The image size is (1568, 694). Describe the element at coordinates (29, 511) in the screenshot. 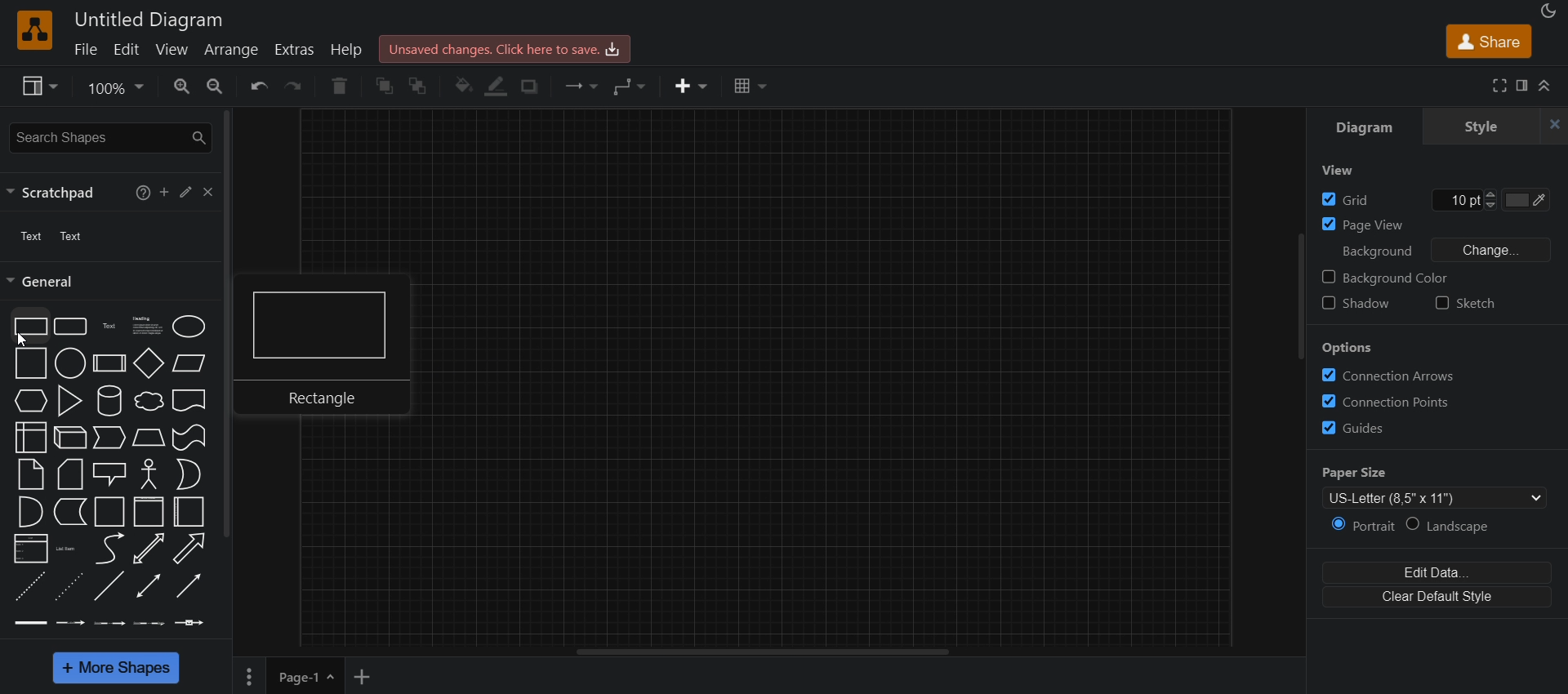

I see `and` at that location.